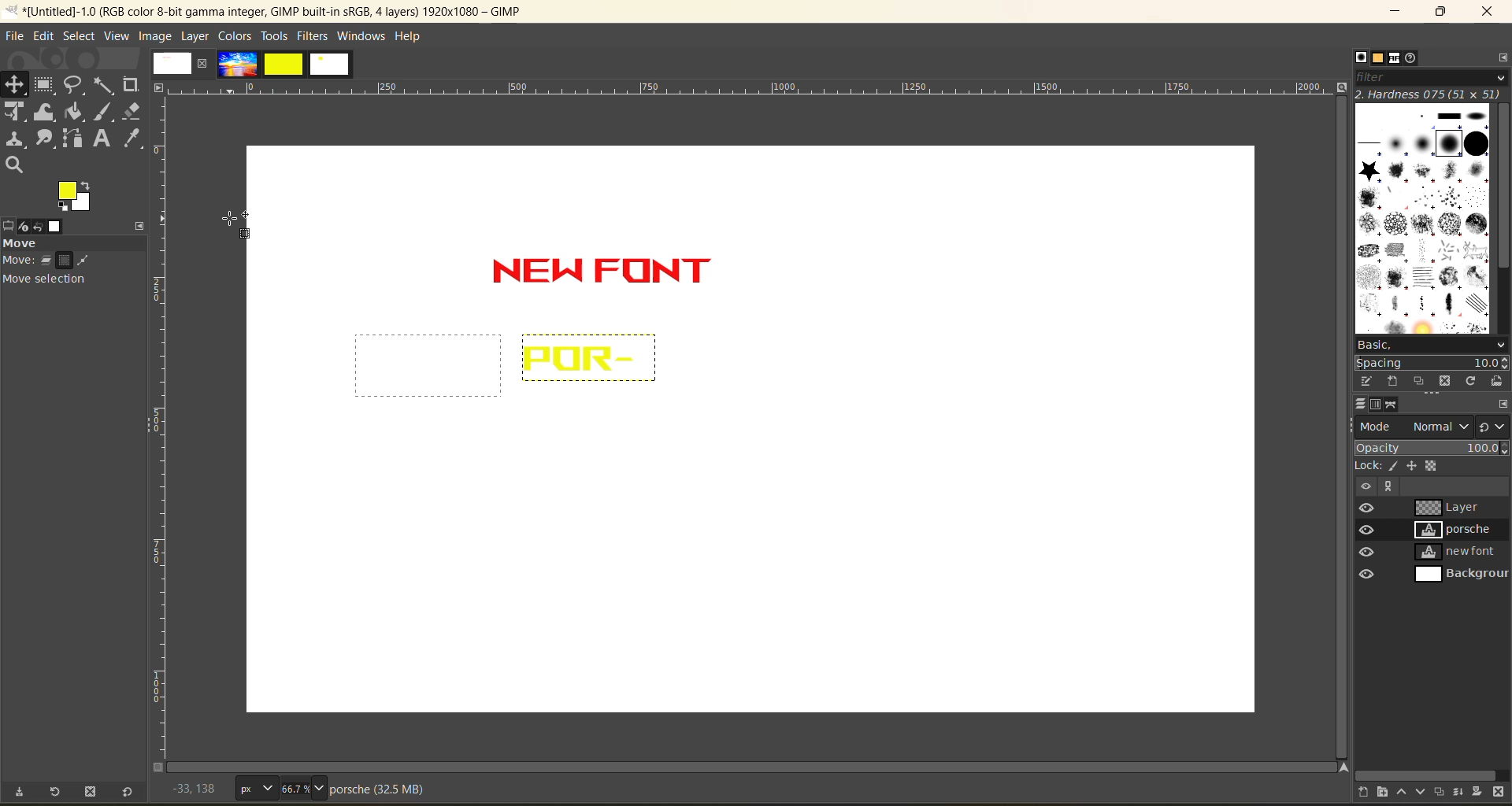 This screenshot has width=1512, height=806. I want to click on layers, so click(1461, 542).